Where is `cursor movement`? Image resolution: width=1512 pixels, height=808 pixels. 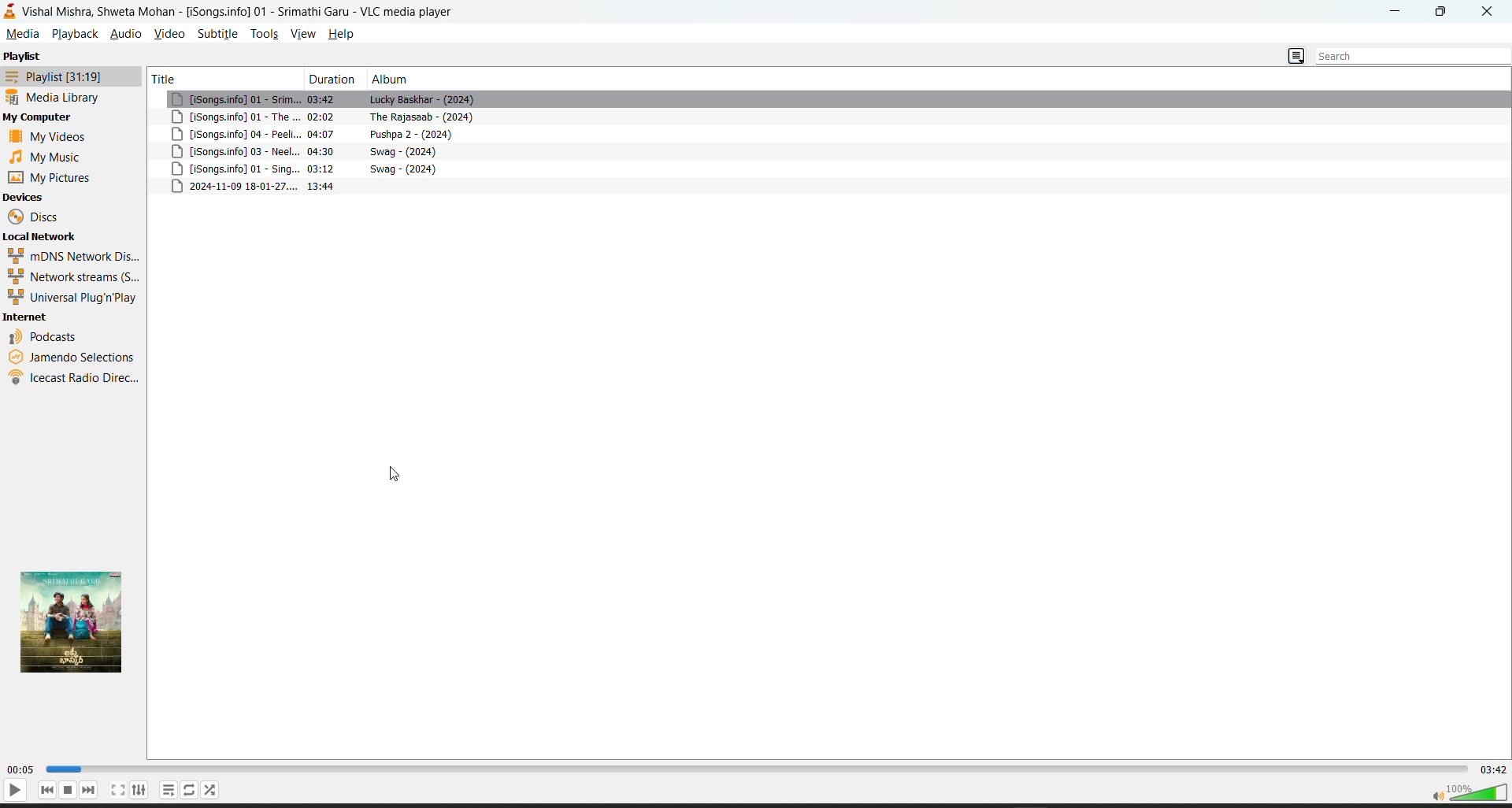
cursor movement is located at coordinates (400, 476).